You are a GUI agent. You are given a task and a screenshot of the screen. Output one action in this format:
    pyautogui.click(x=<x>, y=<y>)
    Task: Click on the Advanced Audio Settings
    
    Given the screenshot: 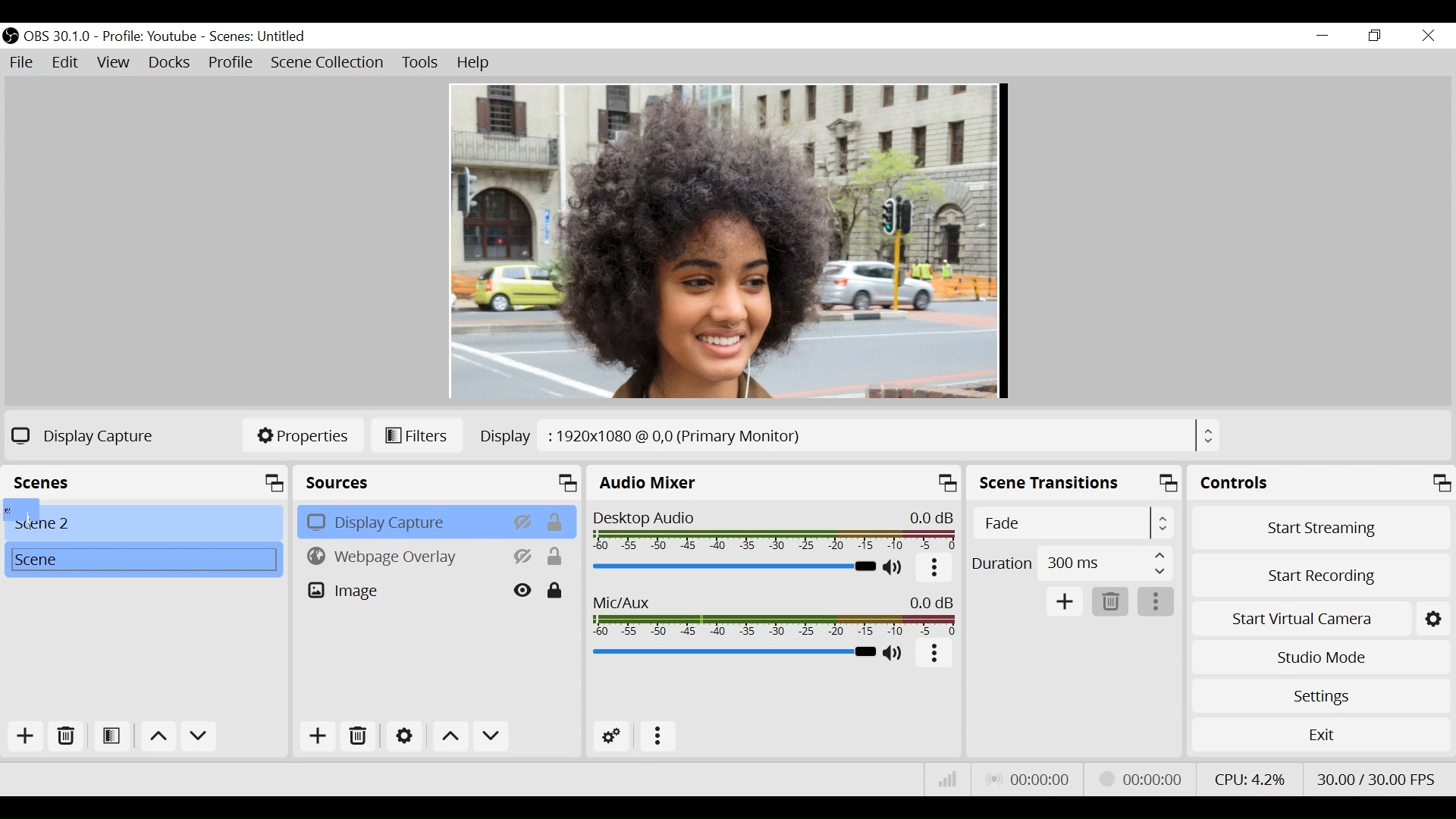 What is the action you would take?
    pyautogui.click(x=612, y=736)
    